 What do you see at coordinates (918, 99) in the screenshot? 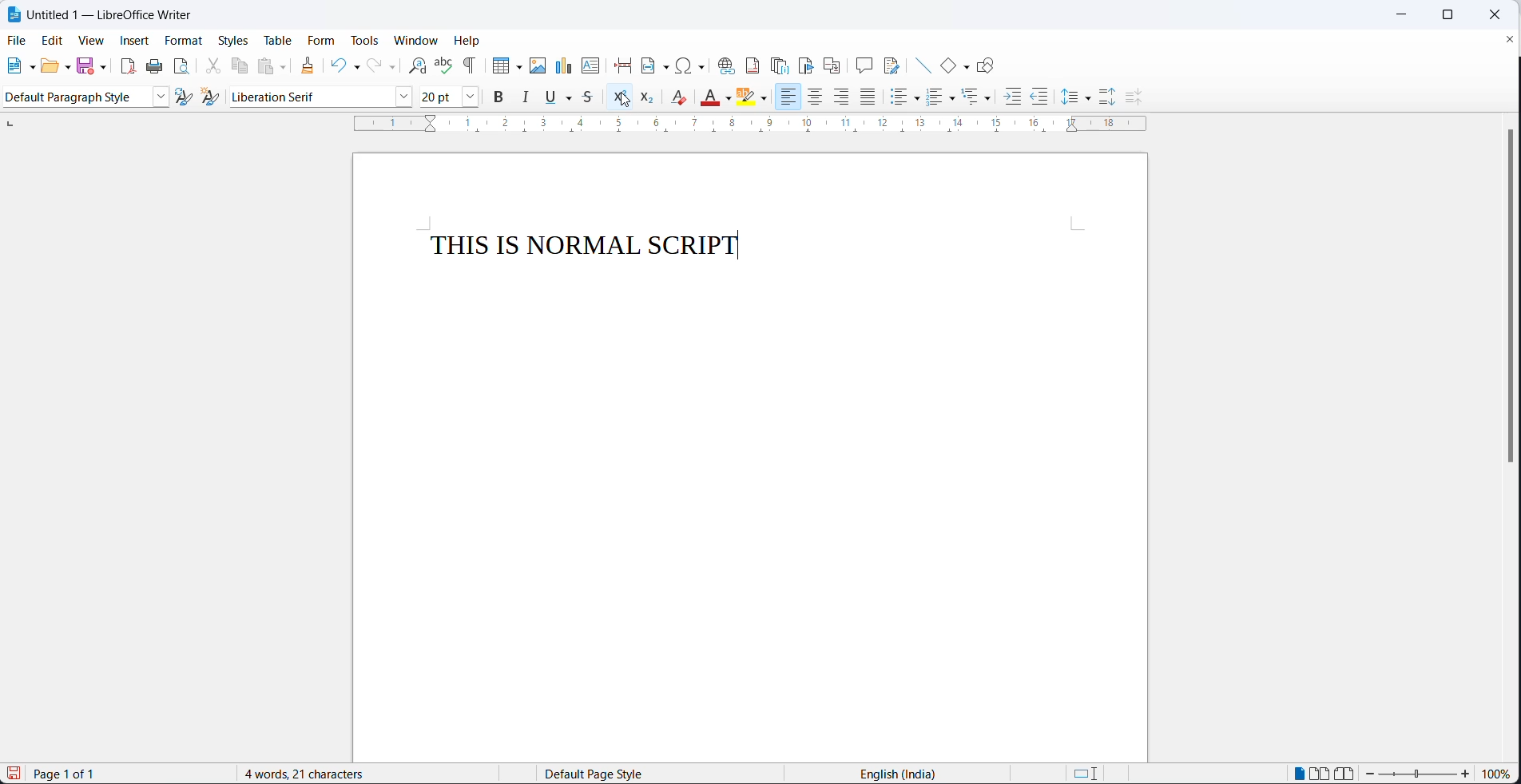
I see `toggle unordered list options` at bounding box center [918, 99].